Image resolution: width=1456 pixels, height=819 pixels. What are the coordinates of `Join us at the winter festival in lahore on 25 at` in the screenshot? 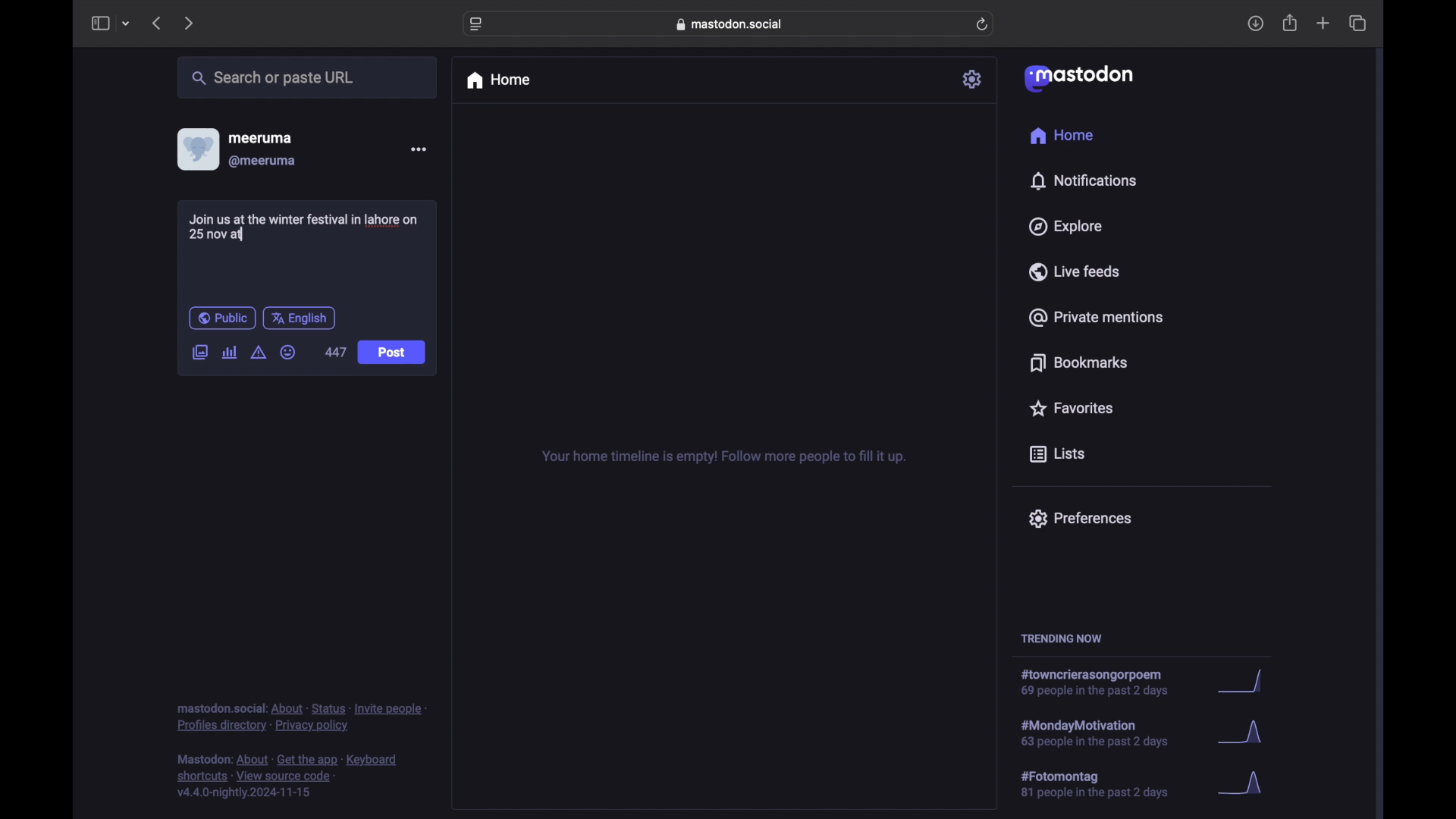 It's located at (306, 229).